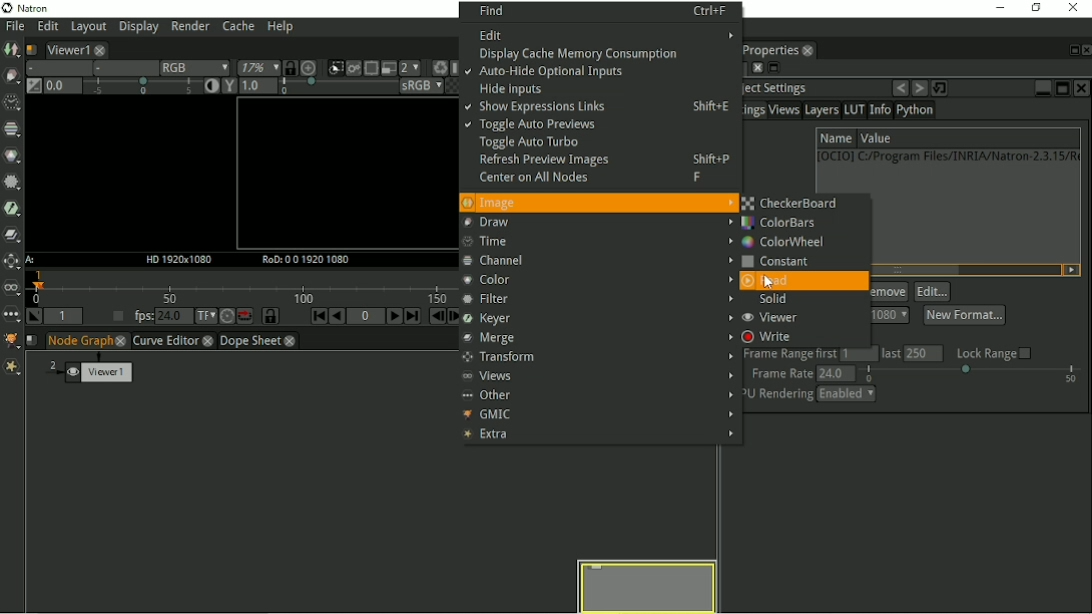  I want to click on Cursor, so click(769, 285).